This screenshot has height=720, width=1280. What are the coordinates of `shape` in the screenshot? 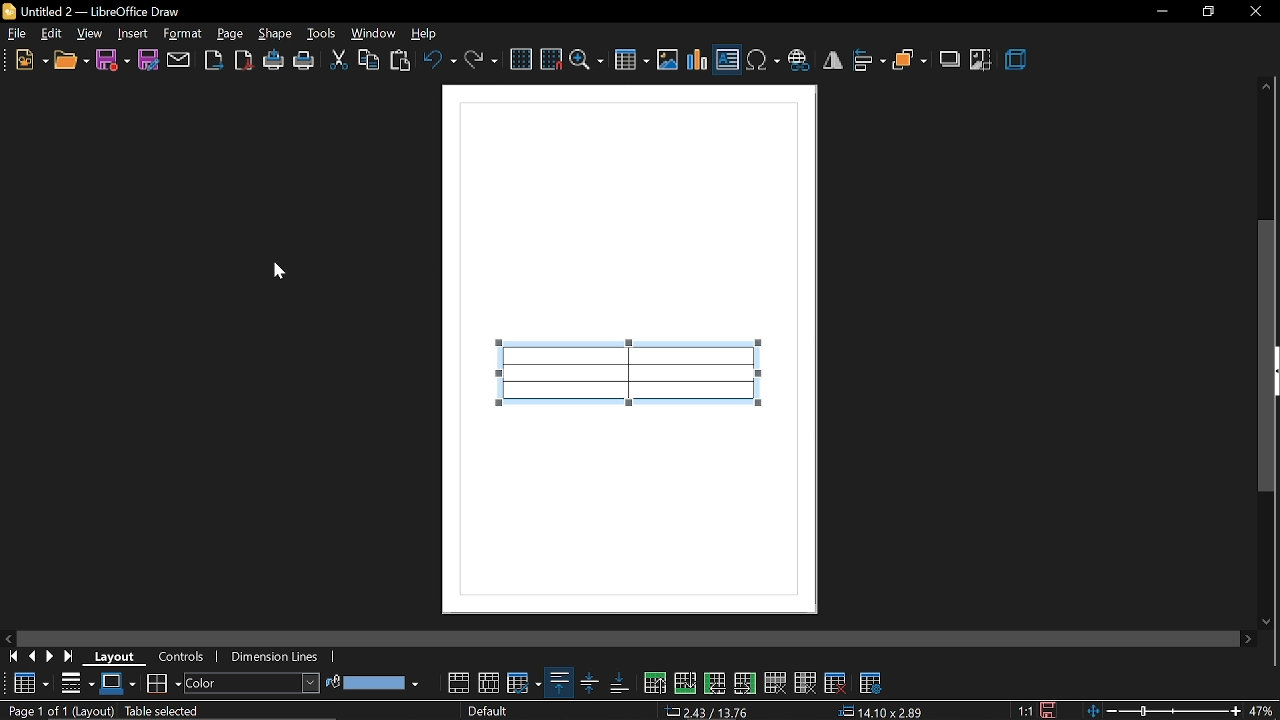 It's located at (275, 34).